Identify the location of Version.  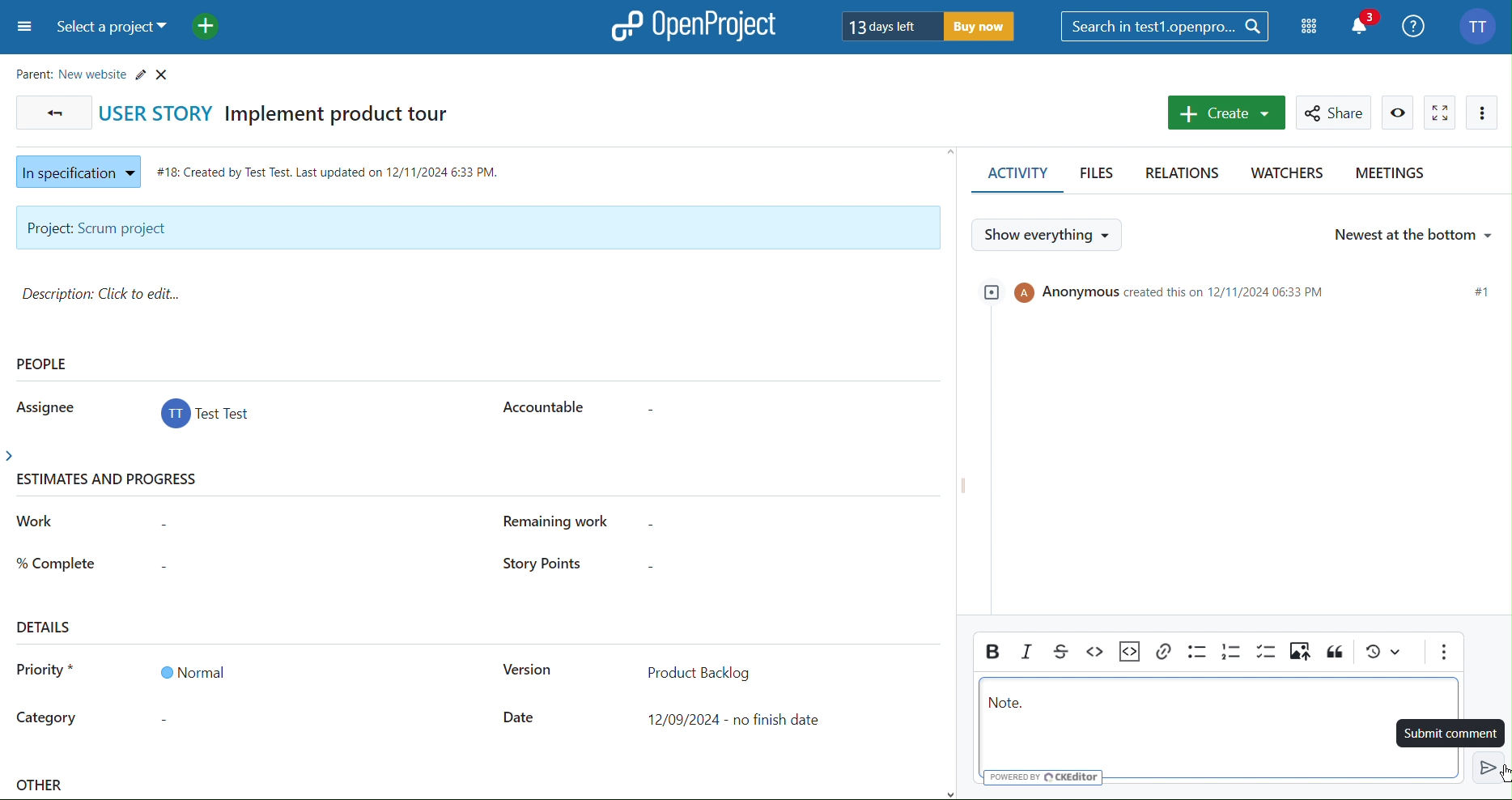
(526, 672).